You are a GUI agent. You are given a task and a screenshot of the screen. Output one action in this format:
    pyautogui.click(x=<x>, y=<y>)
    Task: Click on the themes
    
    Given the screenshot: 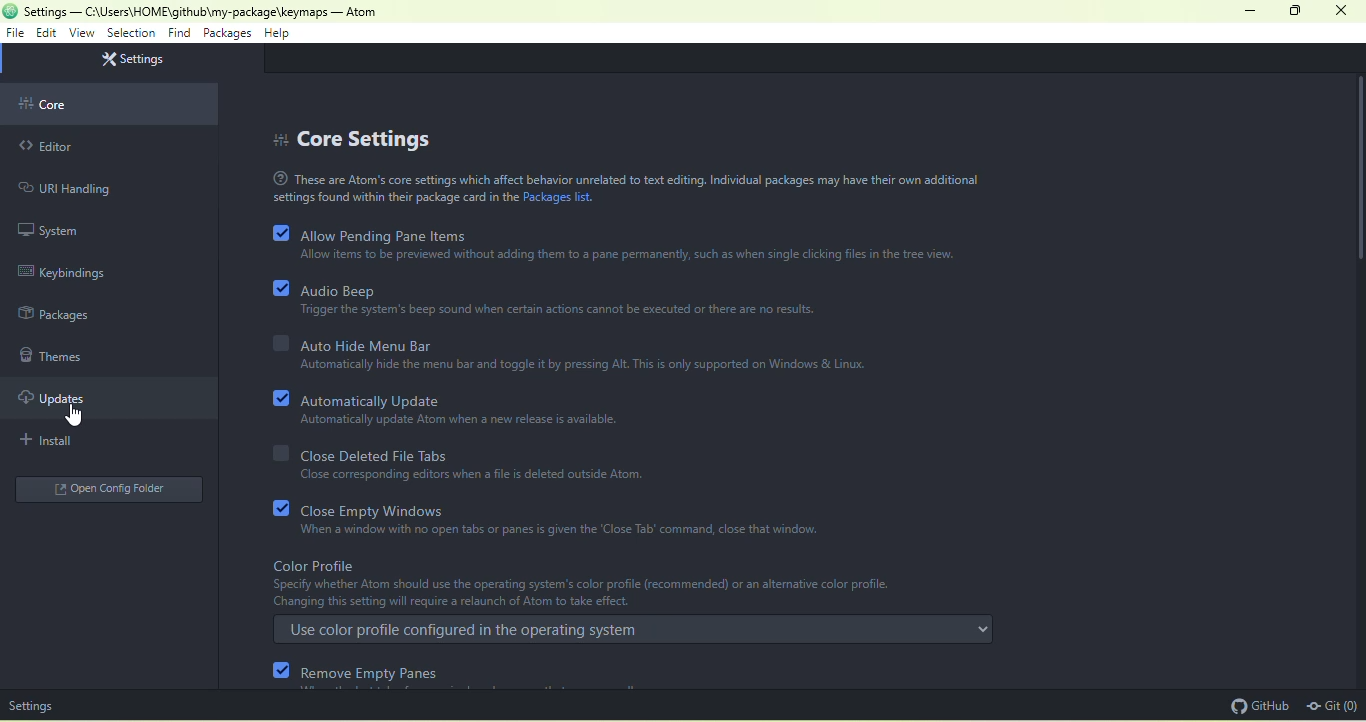 What is the action you would take?
    pyautogui.click(x=56, y=355)
    